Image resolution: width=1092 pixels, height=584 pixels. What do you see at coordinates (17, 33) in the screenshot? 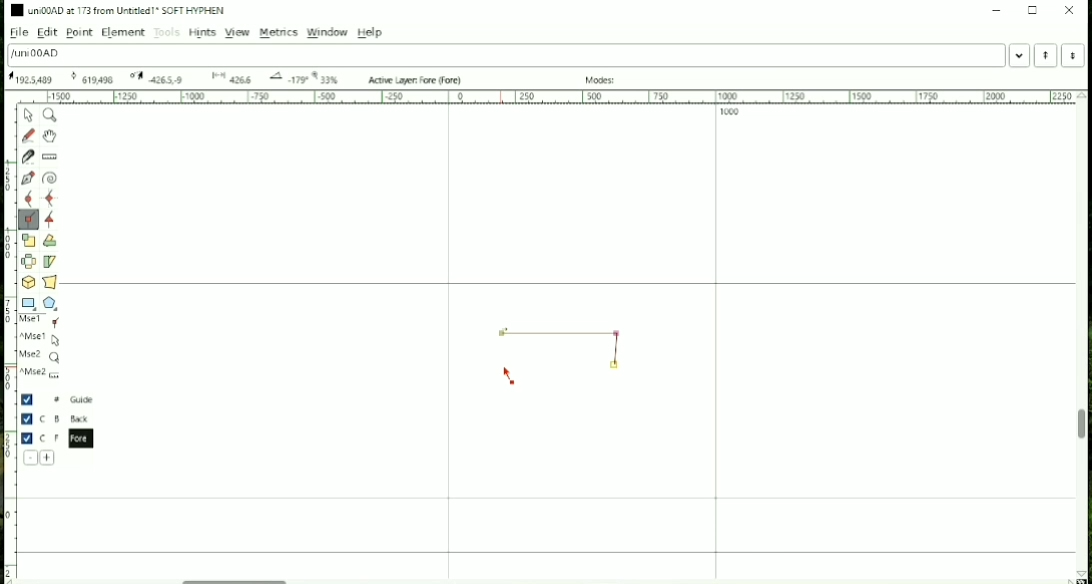
I see `File` at bounding box center [17, 33].